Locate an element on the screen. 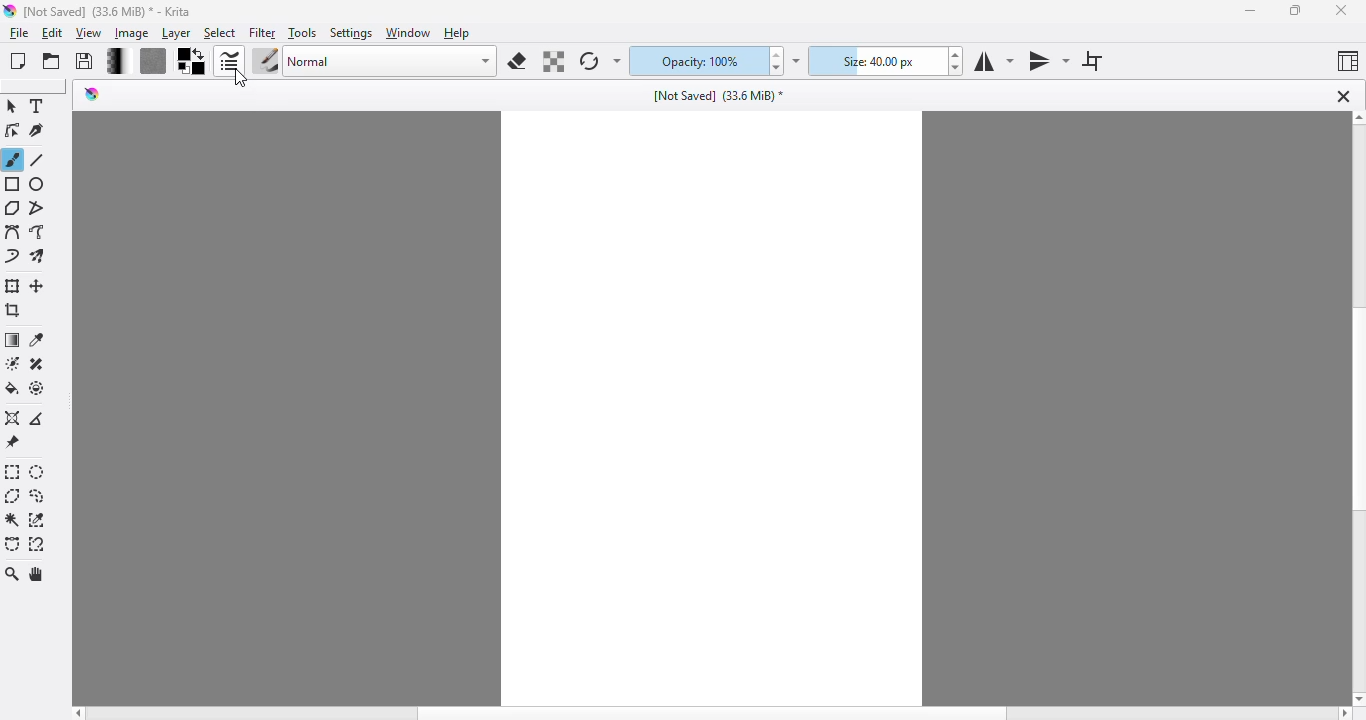 This screenshot has width=1366, height=720. transform a layer or a section is located at coordinates (13, 286).